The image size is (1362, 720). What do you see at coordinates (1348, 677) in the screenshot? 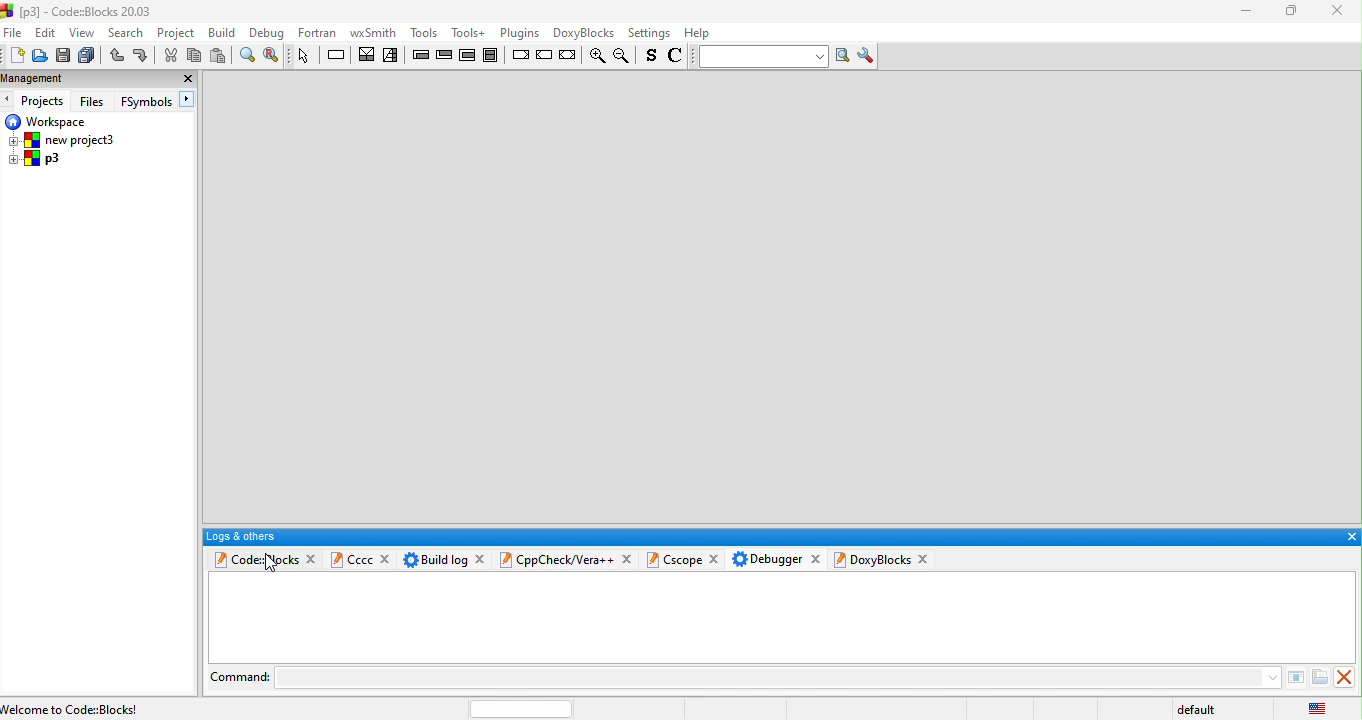
I see `close` at bounding box center [1348, 677].